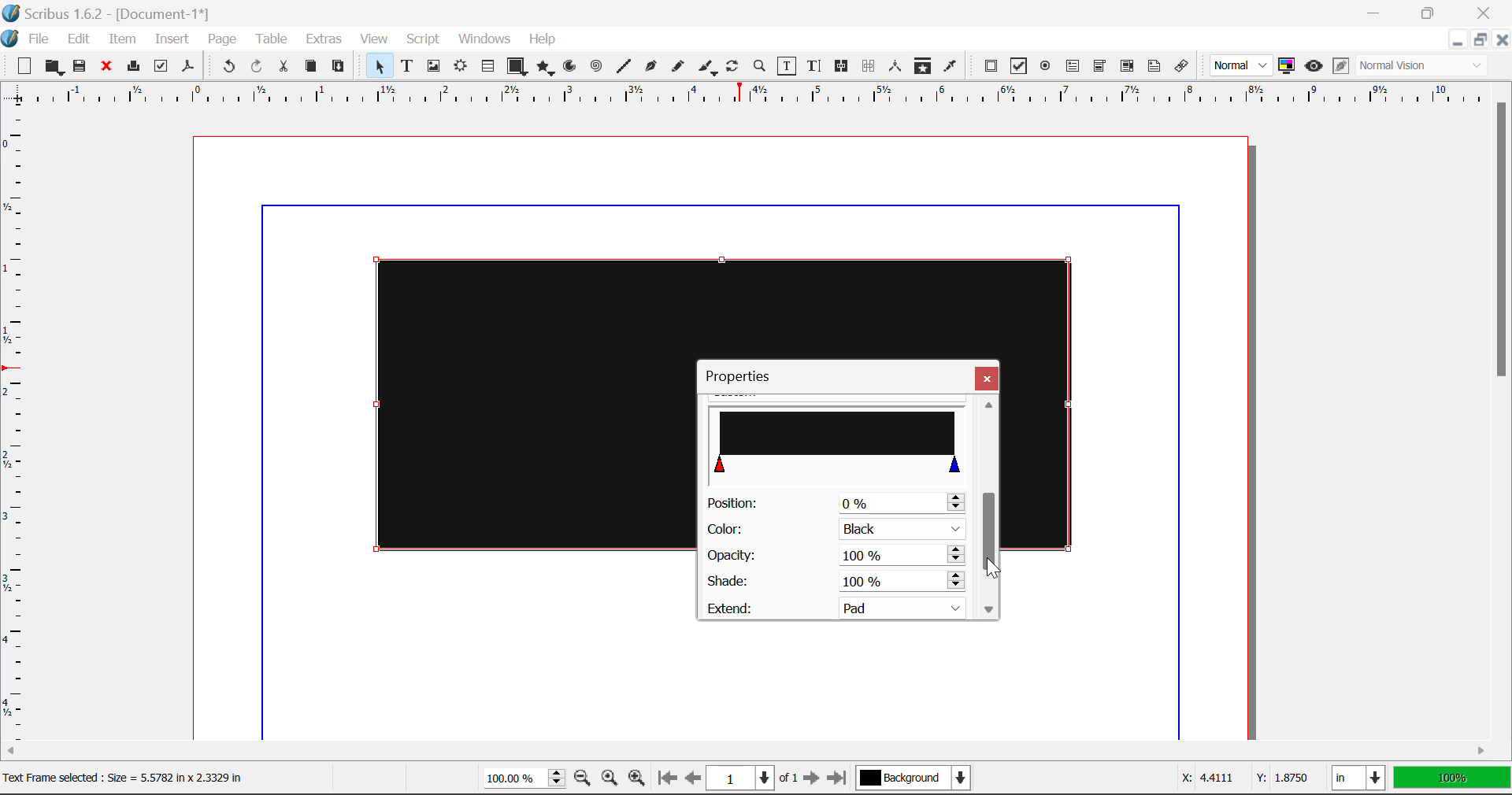  I want to click on PDF Radio Button, so click(1045, 68).